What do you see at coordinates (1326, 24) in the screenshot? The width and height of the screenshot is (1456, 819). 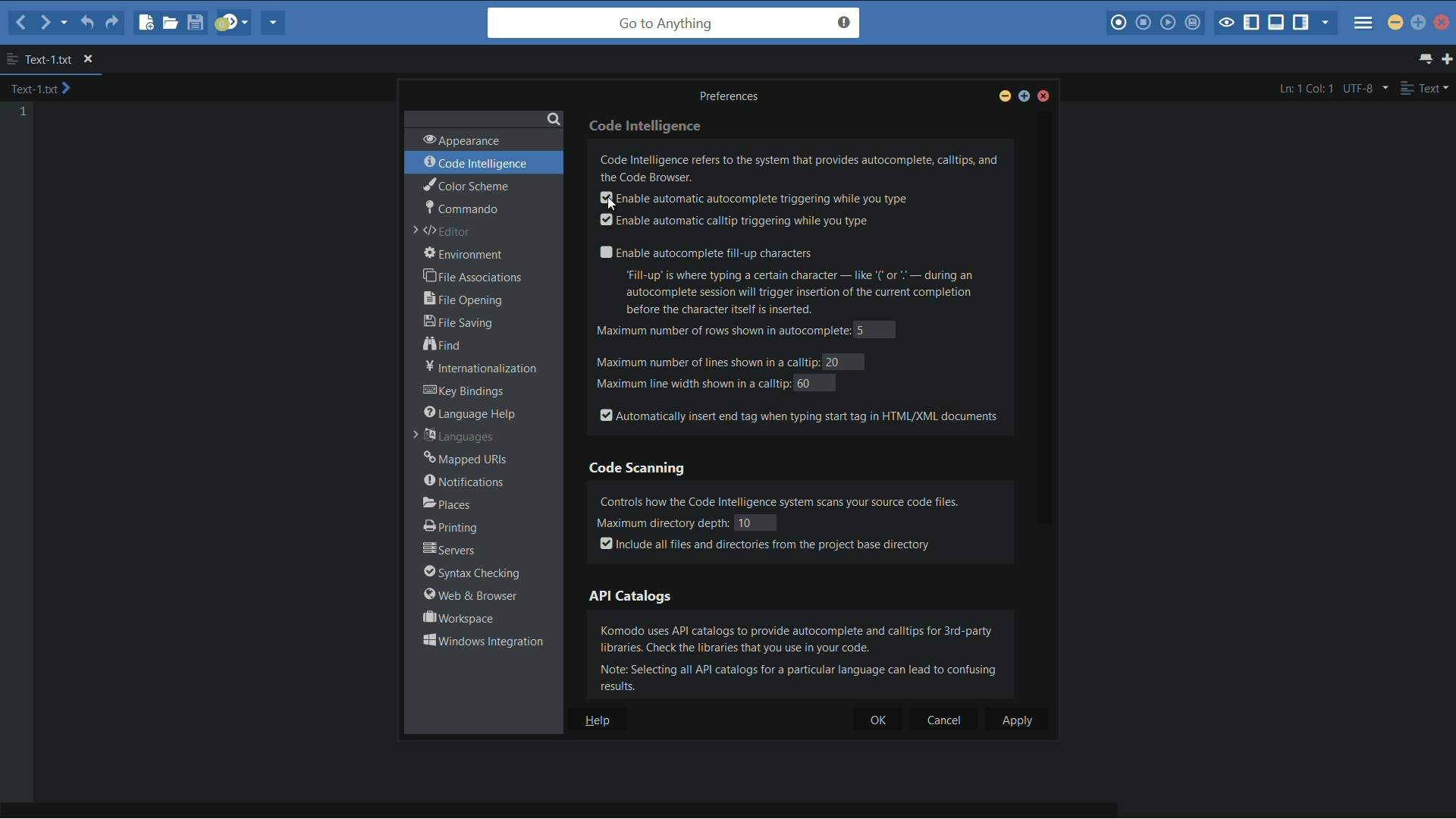 I see `show specific sidebar/tabs` at bounding box center [1326, 24].